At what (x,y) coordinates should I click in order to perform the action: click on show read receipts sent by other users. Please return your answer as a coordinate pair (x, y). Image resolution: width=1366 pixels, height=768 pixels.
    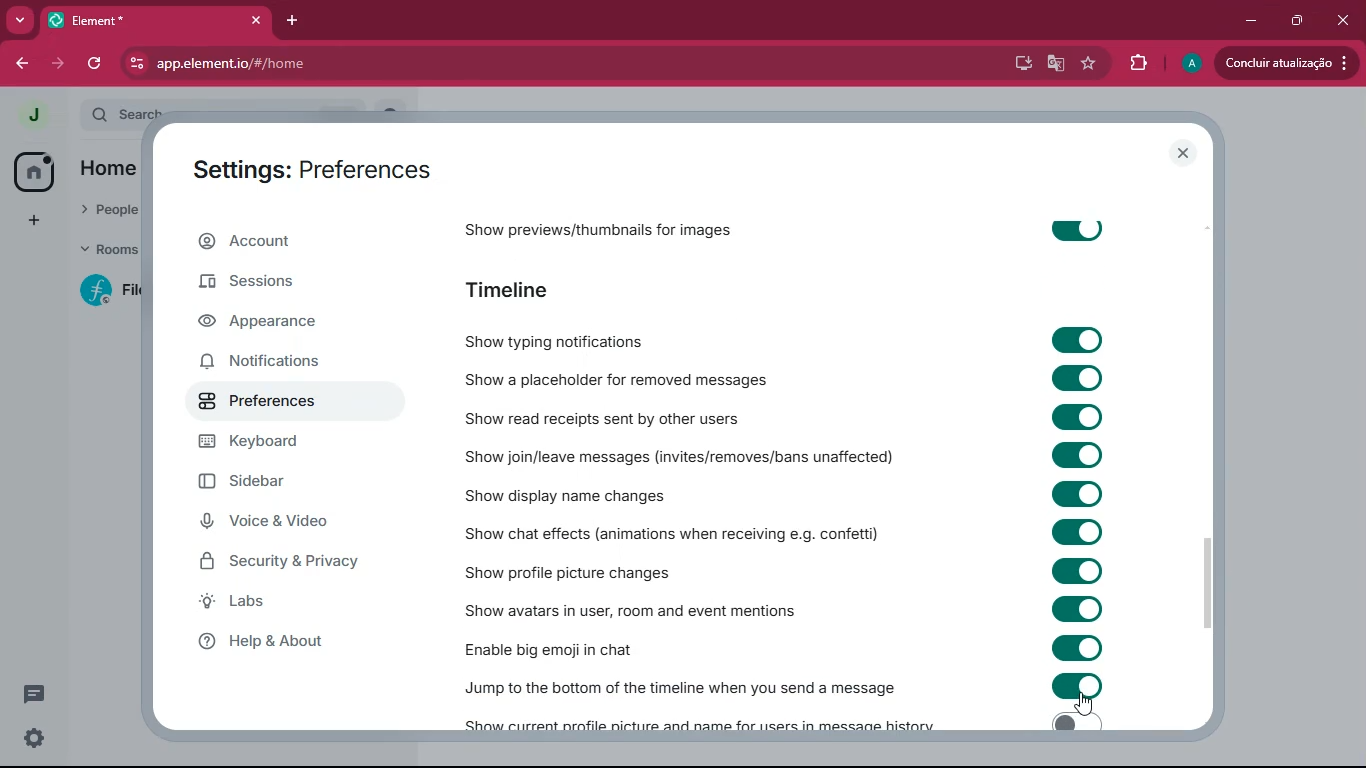
    Looking at the image, I should click on (636, 416).